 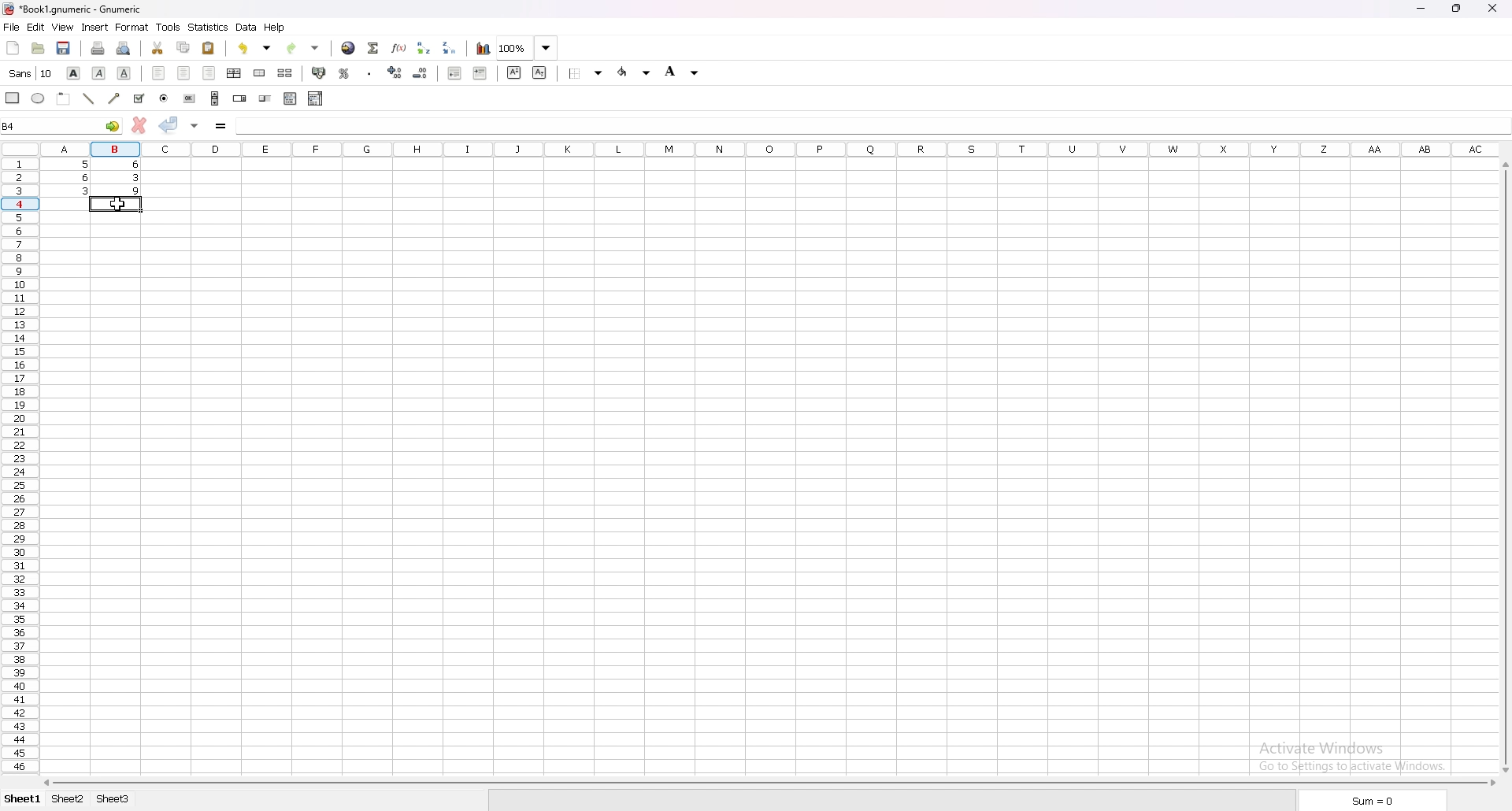 What do you see at coordinates (78, 9) in the screenshot?
I see `file name` at bounding box center [78, 9].